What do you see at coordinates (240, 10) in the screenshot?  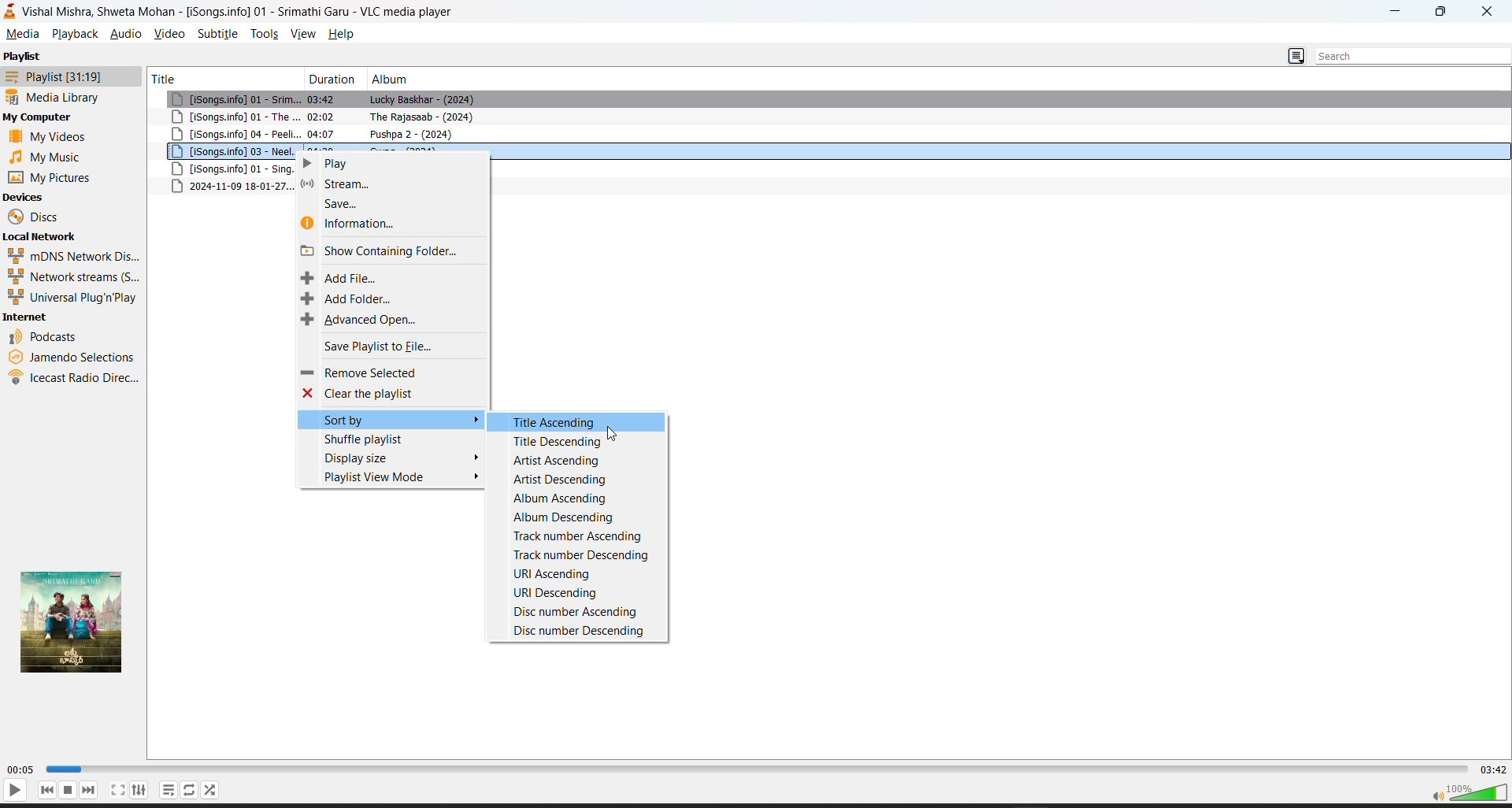 I see ` Vishal Mishra, Shweta Mohan - [iSongs.info] 01 - Srimathi Garu - VLC media player` at bounding box center [240, 10].